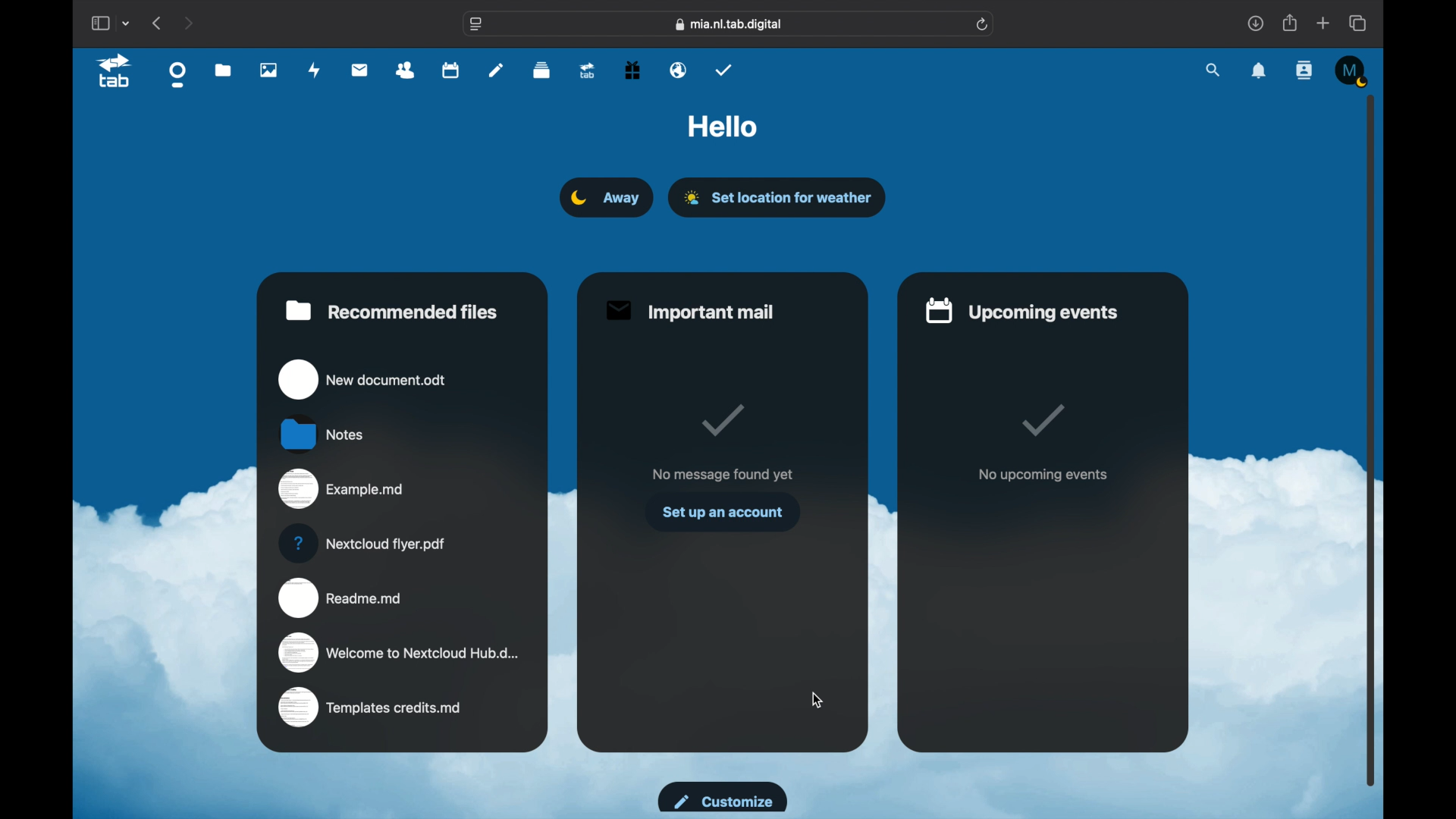 This screenshot has height=819, width=1456. Describe the element at coordinates (723, 797) in the screenshot. I see `customize` at that location.